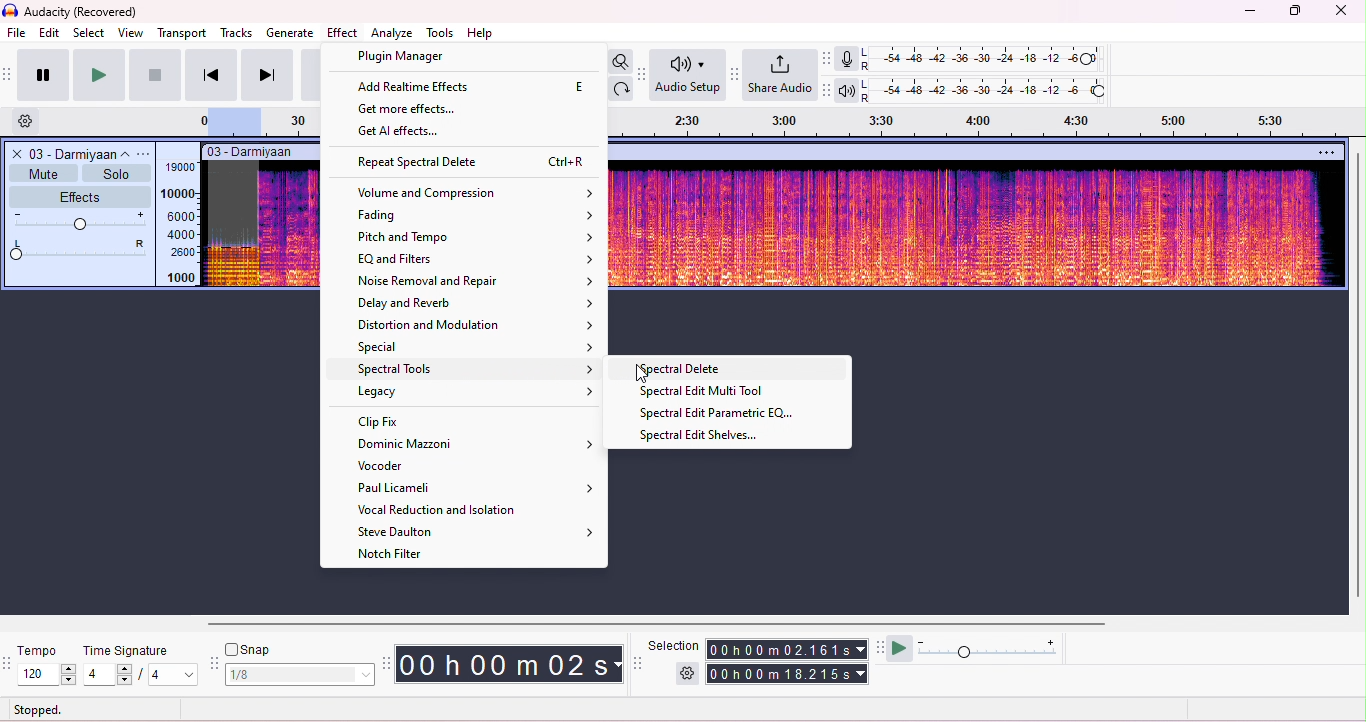  Describe the element at coordinates (441, 509) in the screenshot. I see `vocal reduction and isolation` at that location.